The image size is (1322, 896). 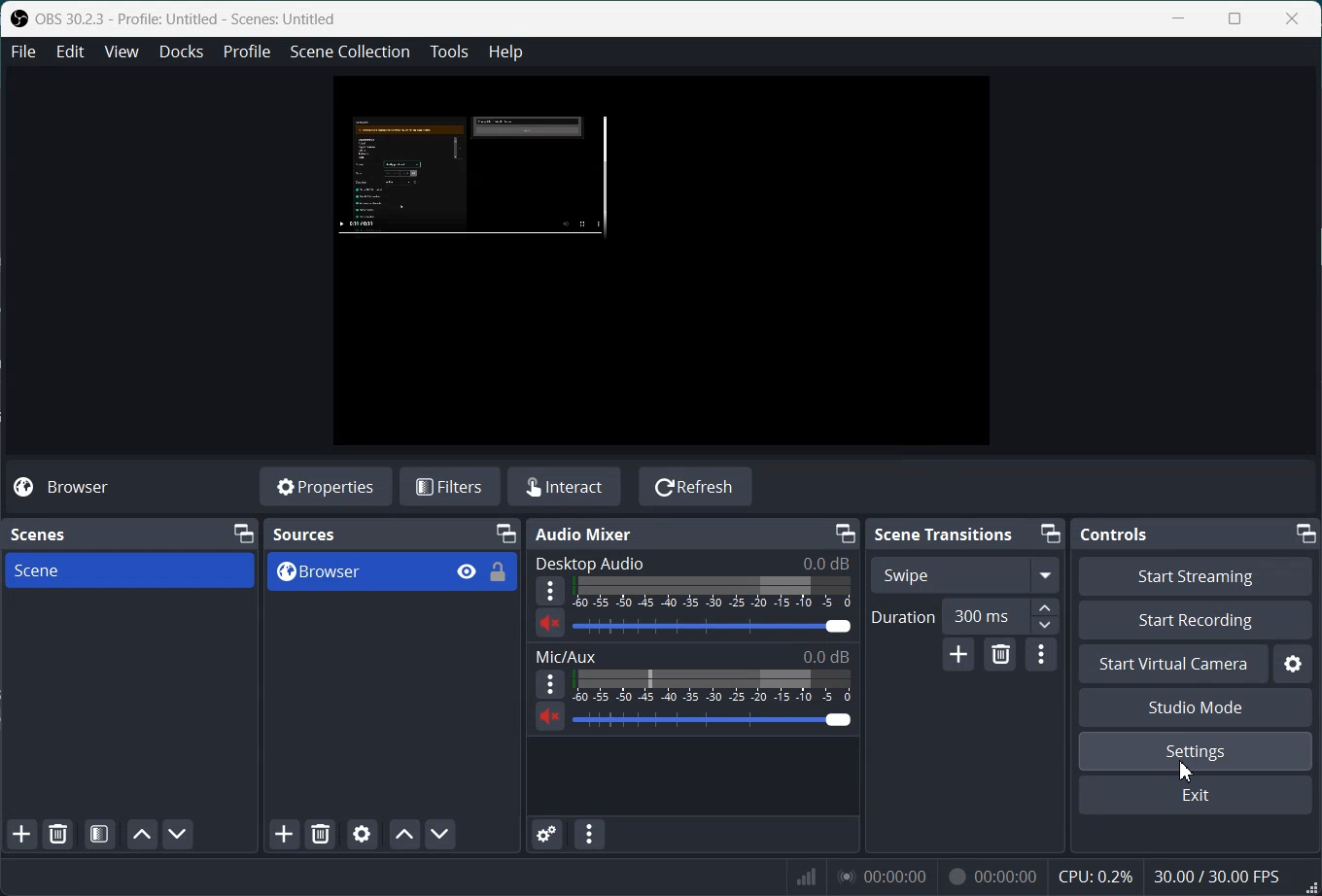 What do you see at coordinates (1236, 17) in the screenshot?
I see `Maximize` at bounding box center [1236, 17].